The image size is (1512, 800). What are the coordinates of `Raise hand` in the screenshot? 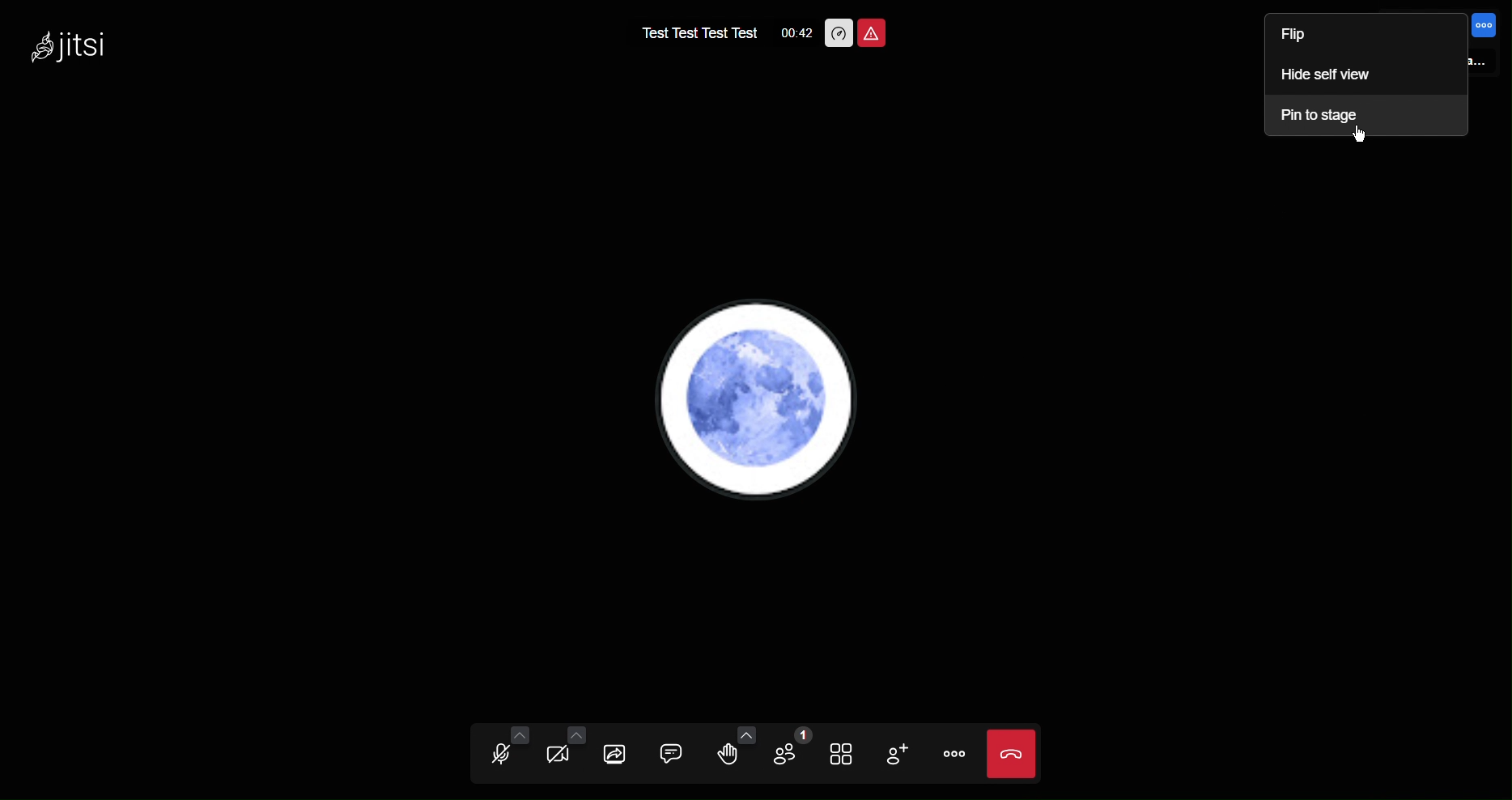 It's located at (728, 753).